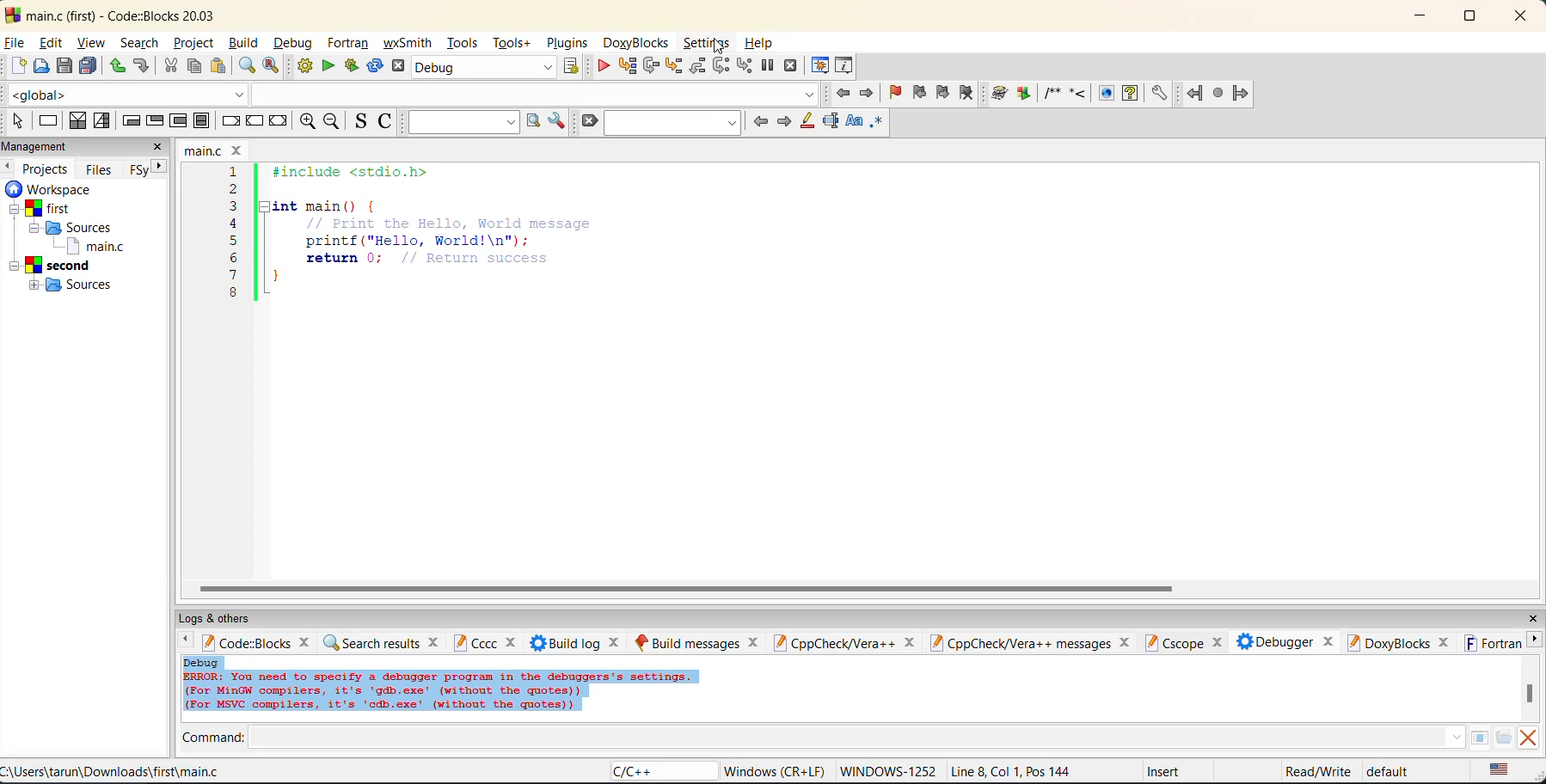 The width and height of the screenshot is (1546, 784). I want to click on tools+, so click(515, 44).